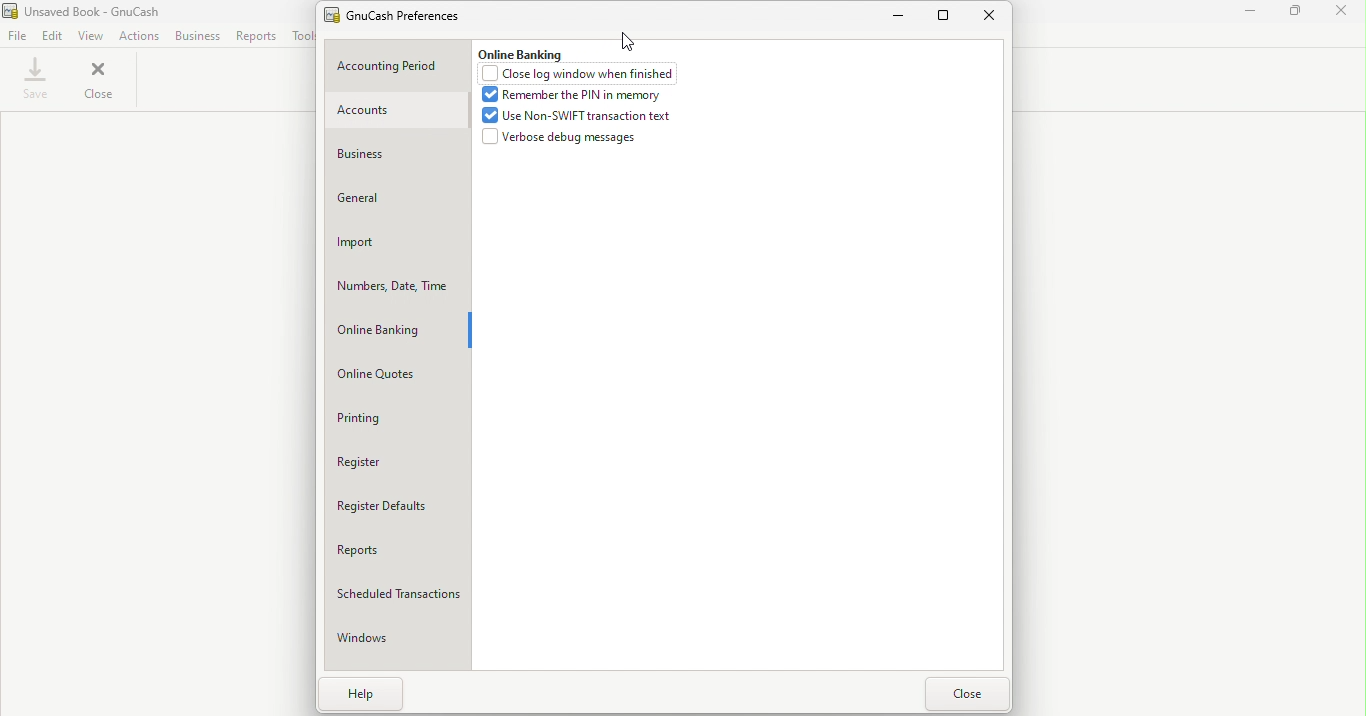 The image size is (1366, 716). What do you see at coordinates (93, 10) in the screenshot?
I see `File name` at bounding box center [93, 10].